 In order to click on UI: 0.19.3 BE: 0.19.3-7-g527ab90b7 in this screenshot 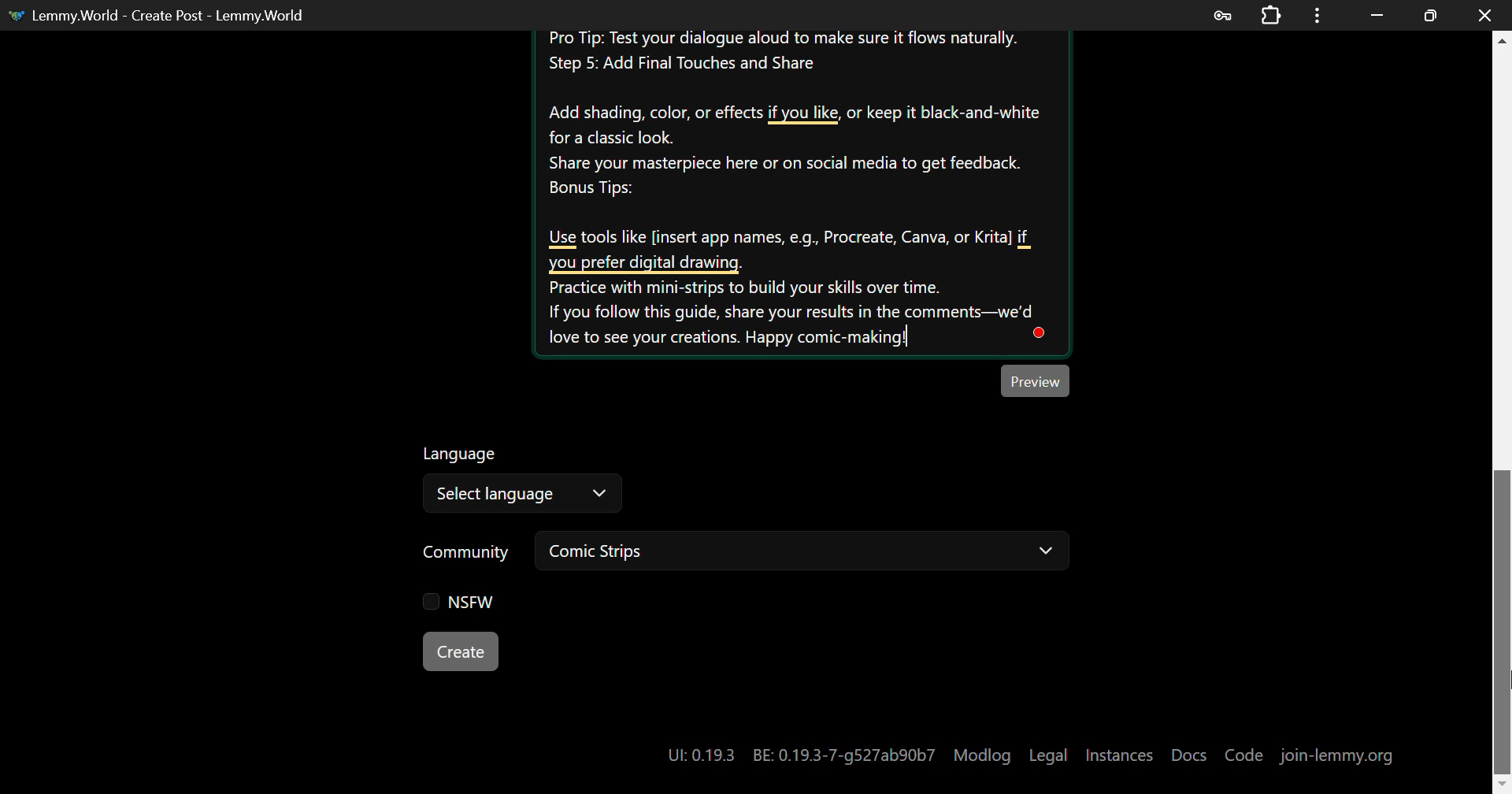, I will do `click(791, 755)`.